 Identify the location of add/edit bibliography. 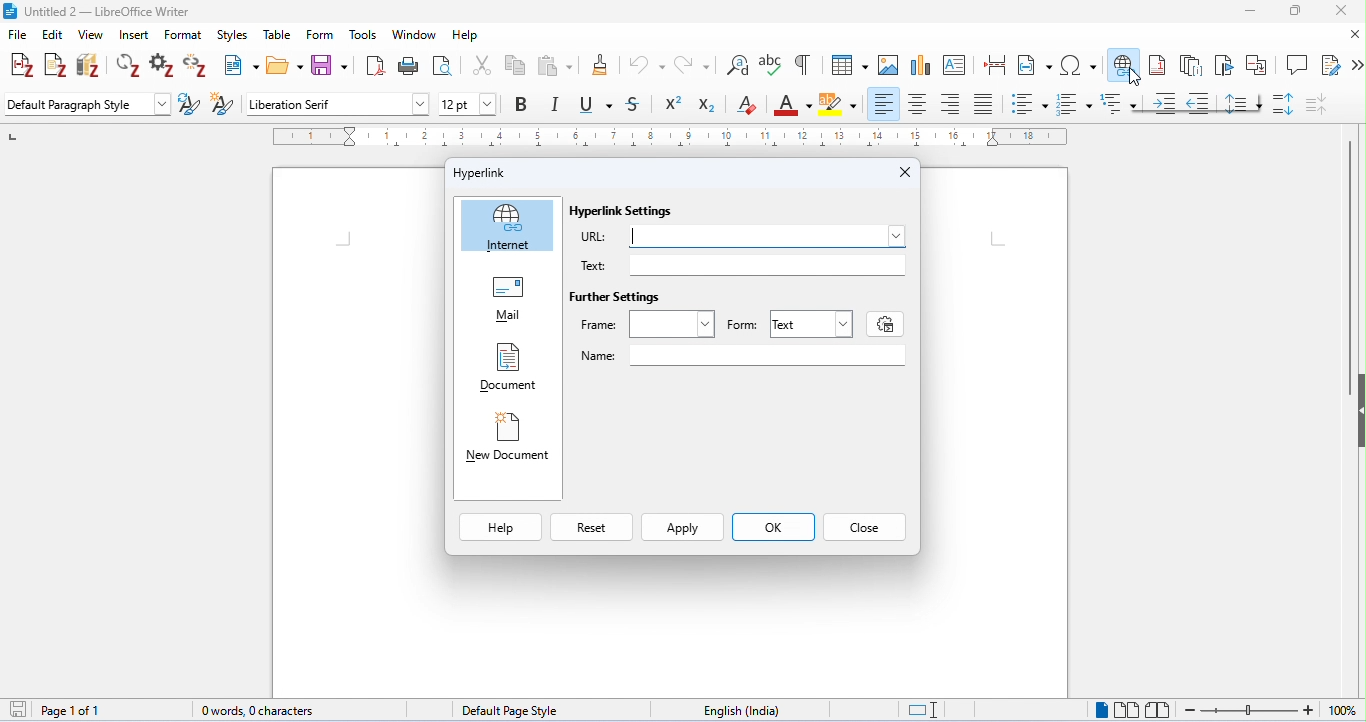
(88, 65).